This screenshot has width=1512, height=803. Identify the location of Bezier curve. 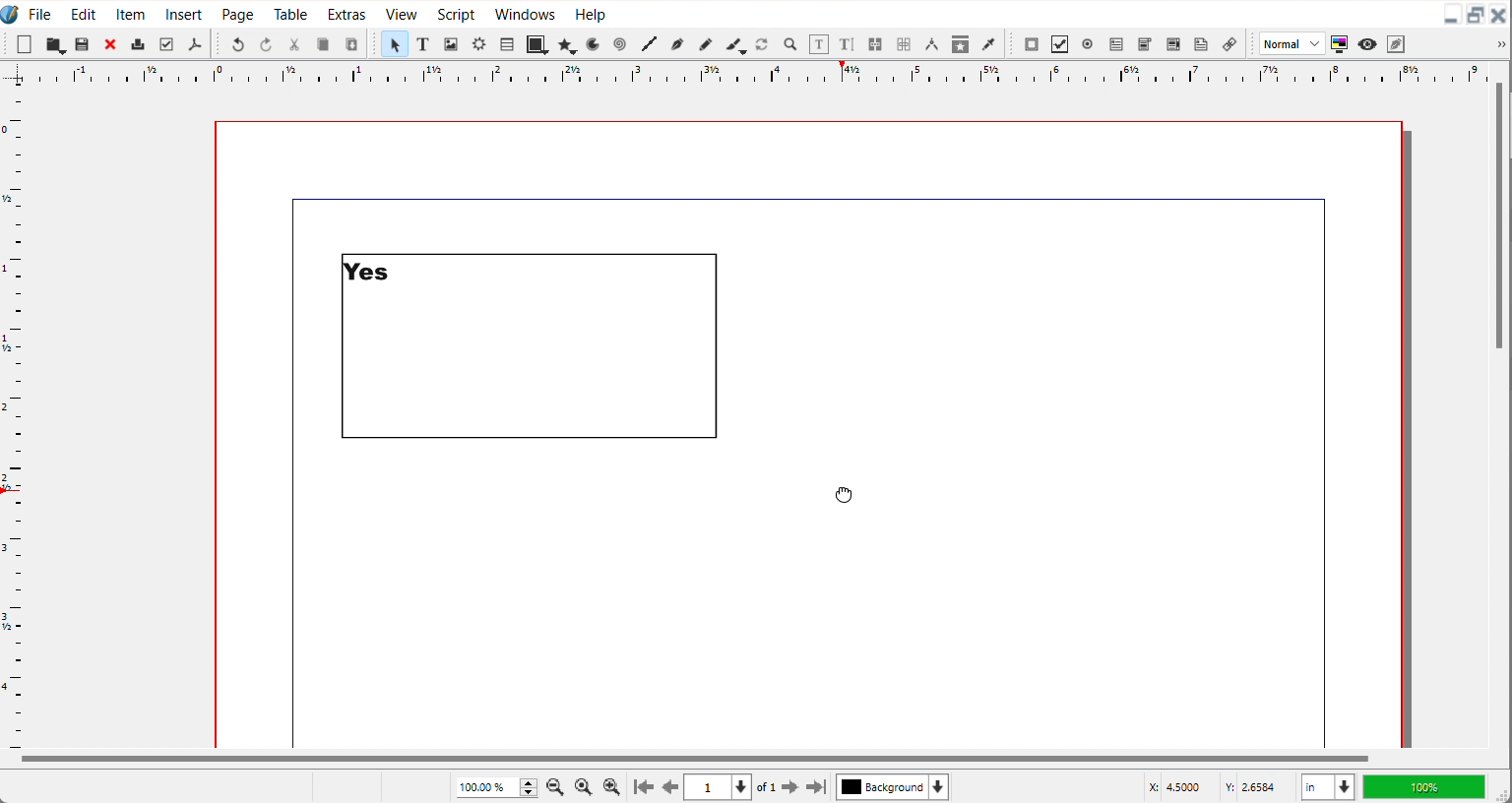
(676, 44).